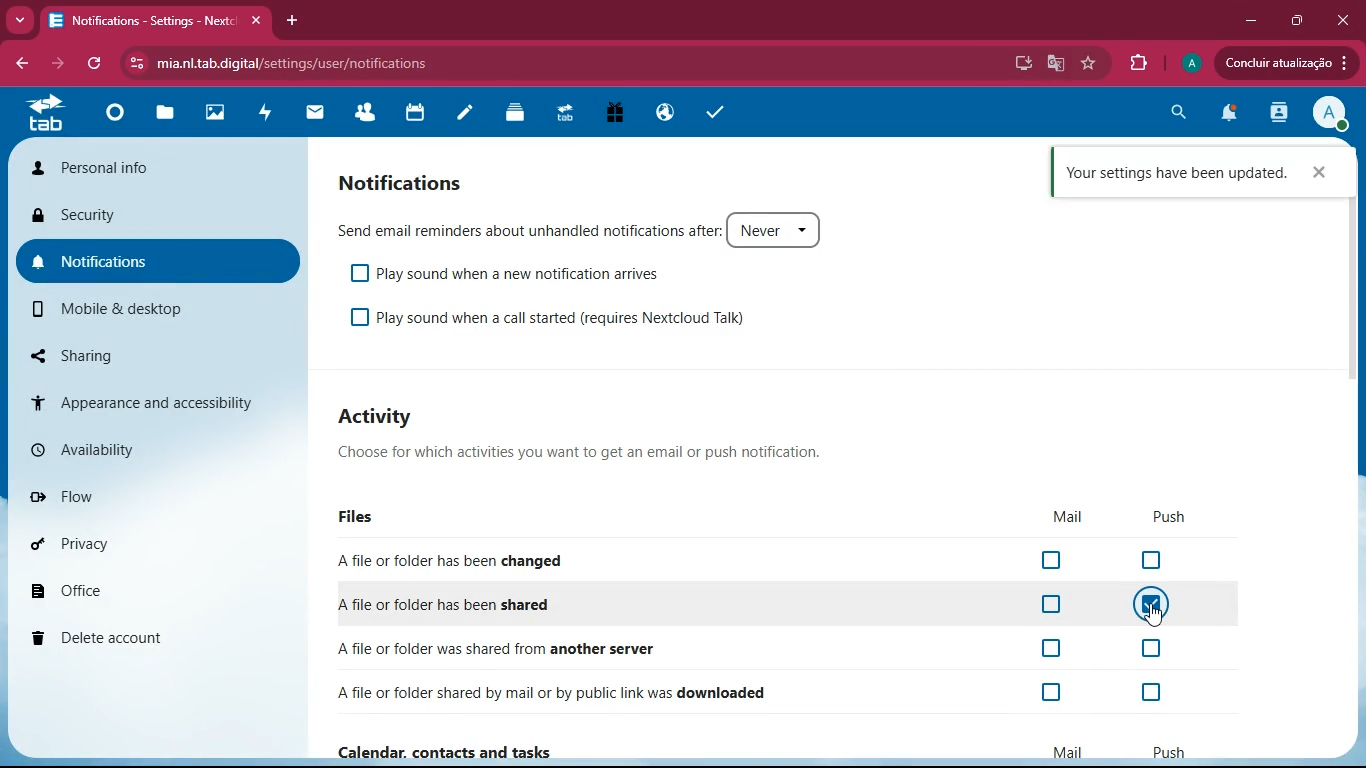 This screenshot has height=768, width=1366. What do you see at coordinates (660, 112) in the screenshot?
I see `public` at bounding box center [660, 112].